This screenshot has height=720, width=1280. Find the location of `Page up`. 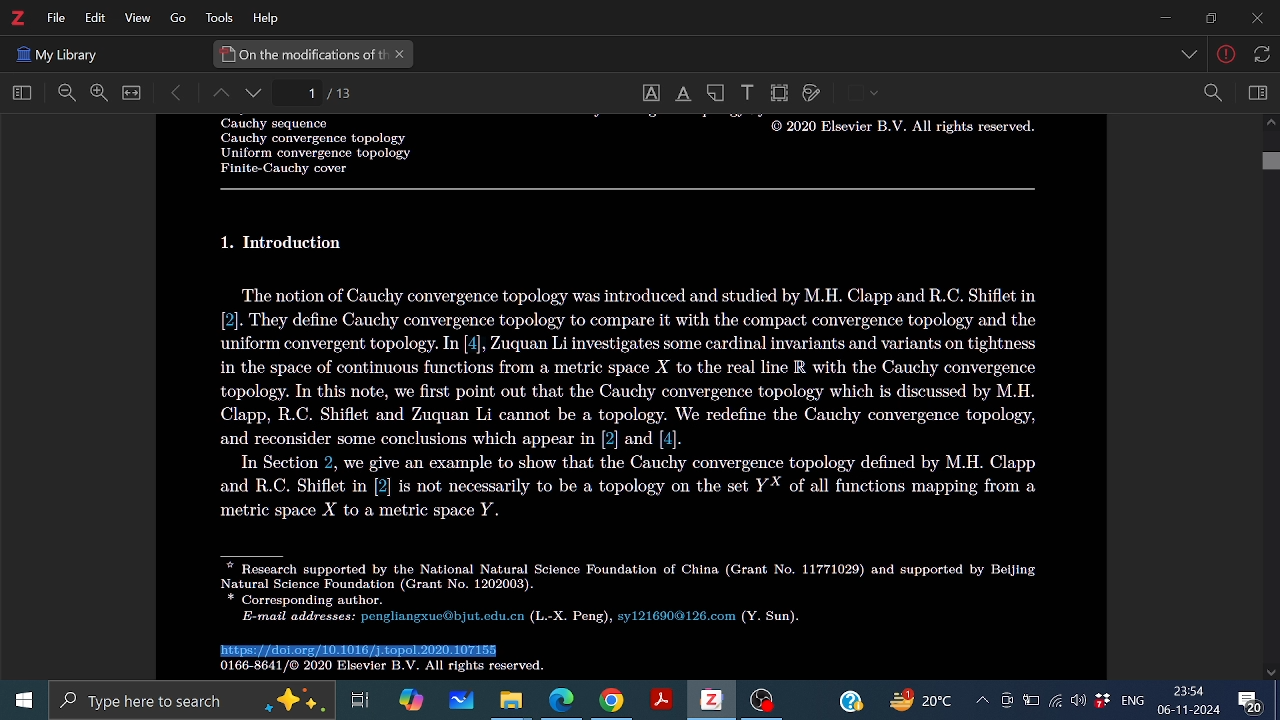

Page up is located at coordinates (219, 95).